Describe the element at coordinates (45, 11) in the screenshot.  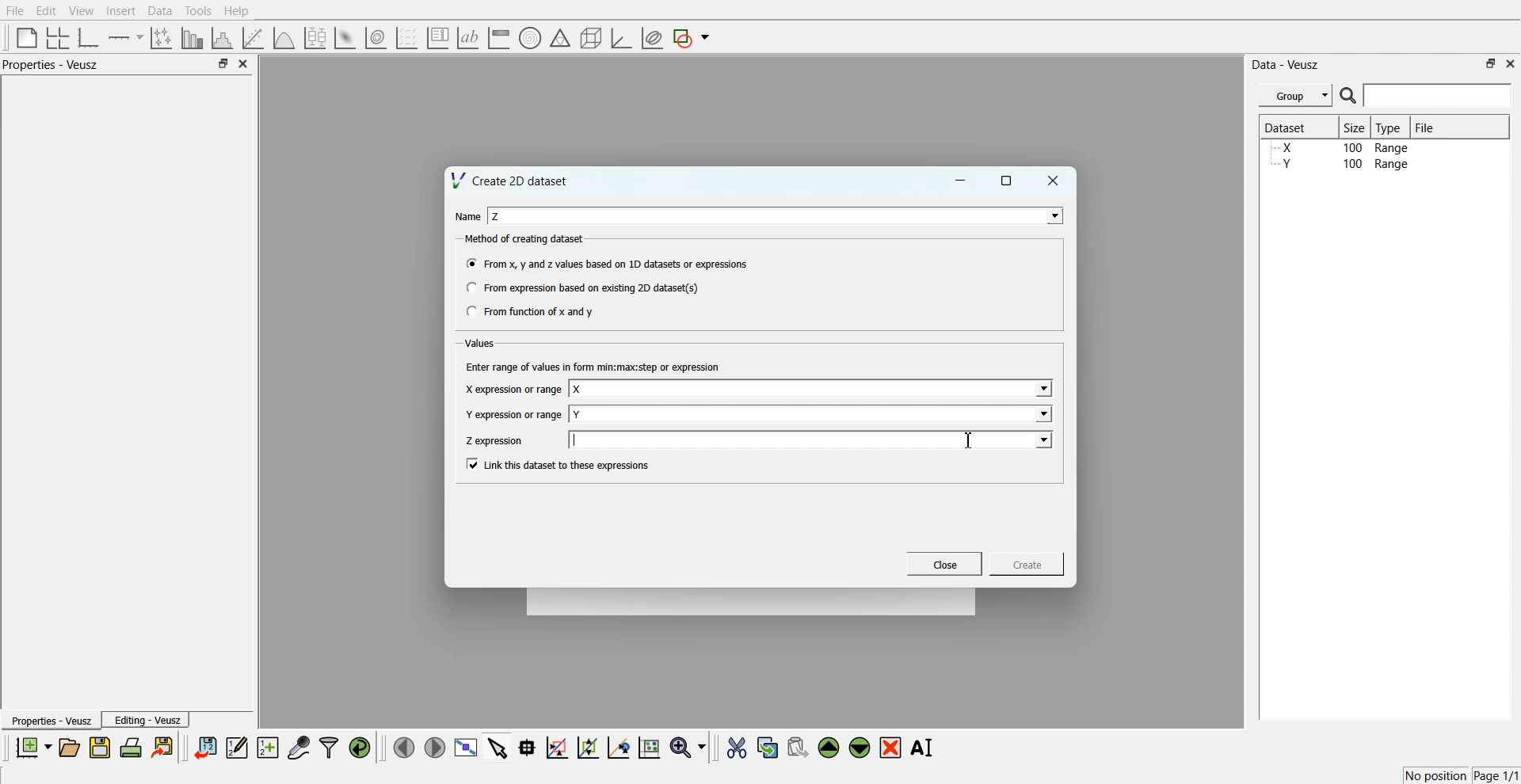
I see `Edit` at that location.